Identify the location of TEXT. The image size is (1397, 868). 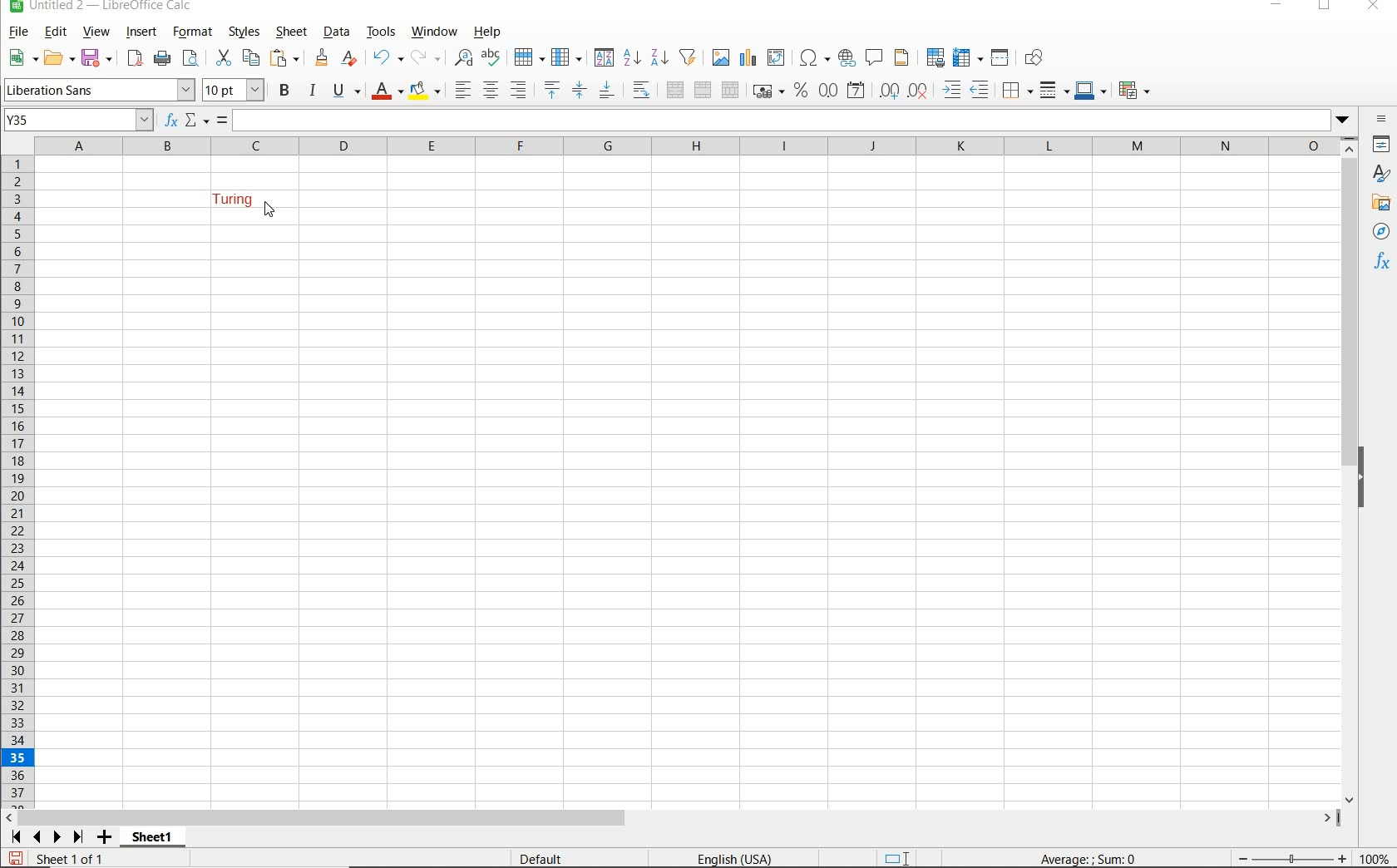
(239, 199).